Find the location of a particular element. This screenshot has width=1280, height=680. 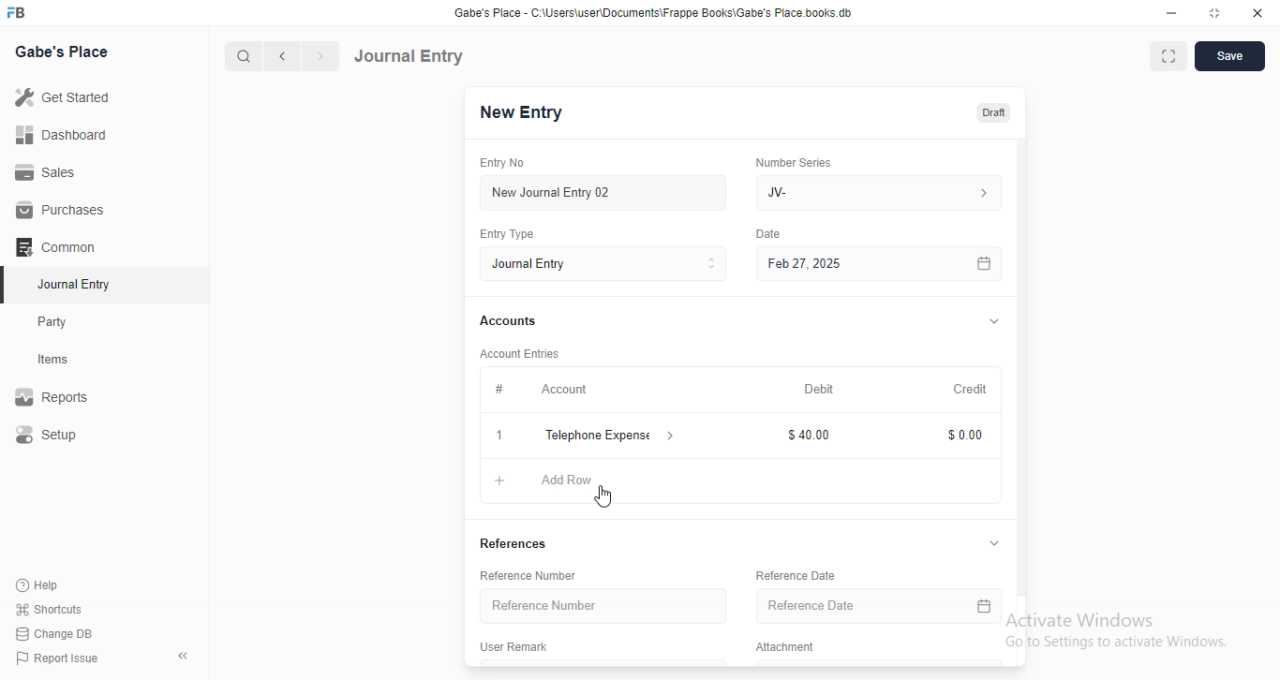

New entry is located at coordinates (527, 114).